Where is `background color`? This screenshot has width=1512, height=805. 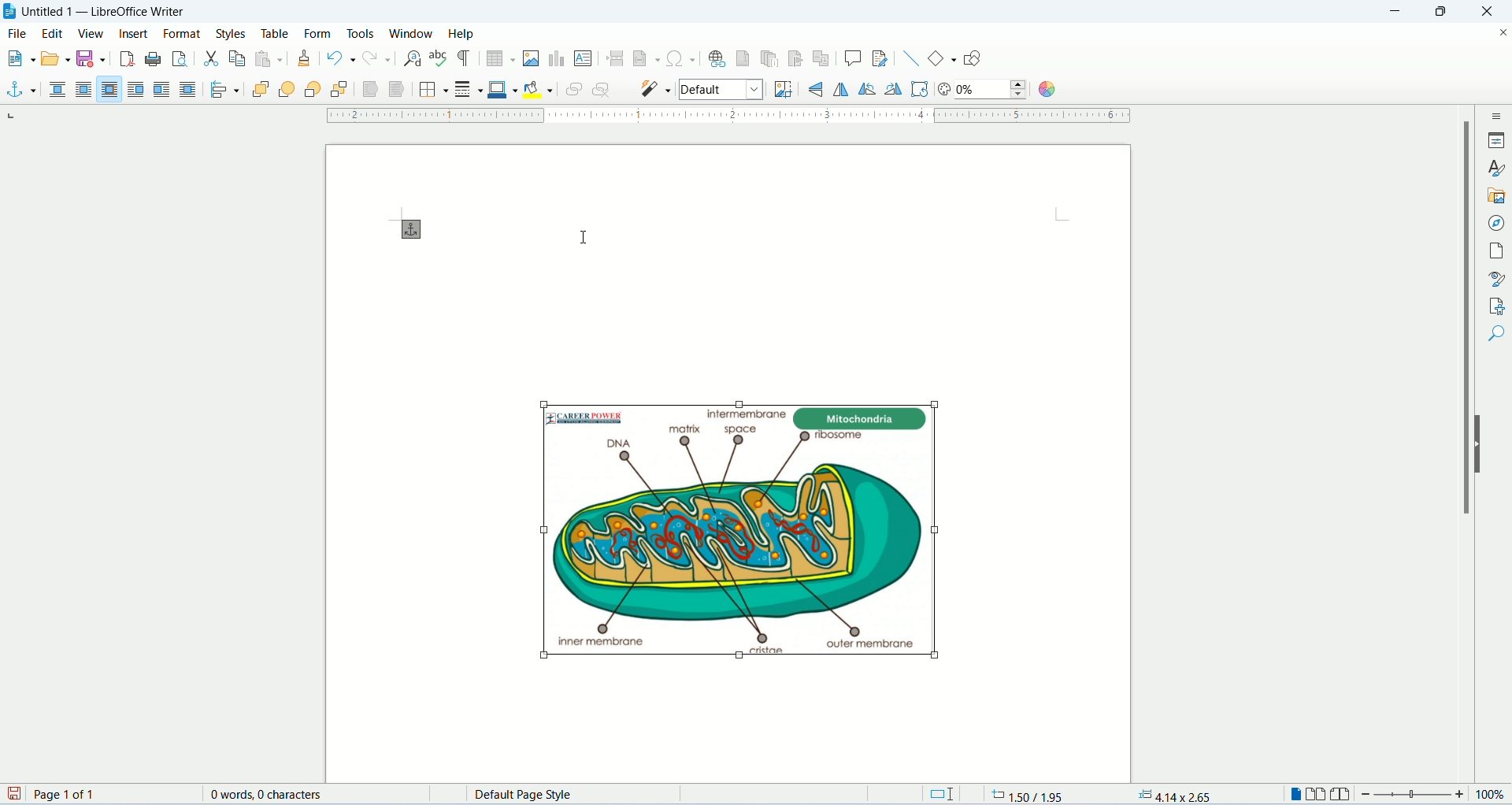 background color is located at coordinates (538, 90).